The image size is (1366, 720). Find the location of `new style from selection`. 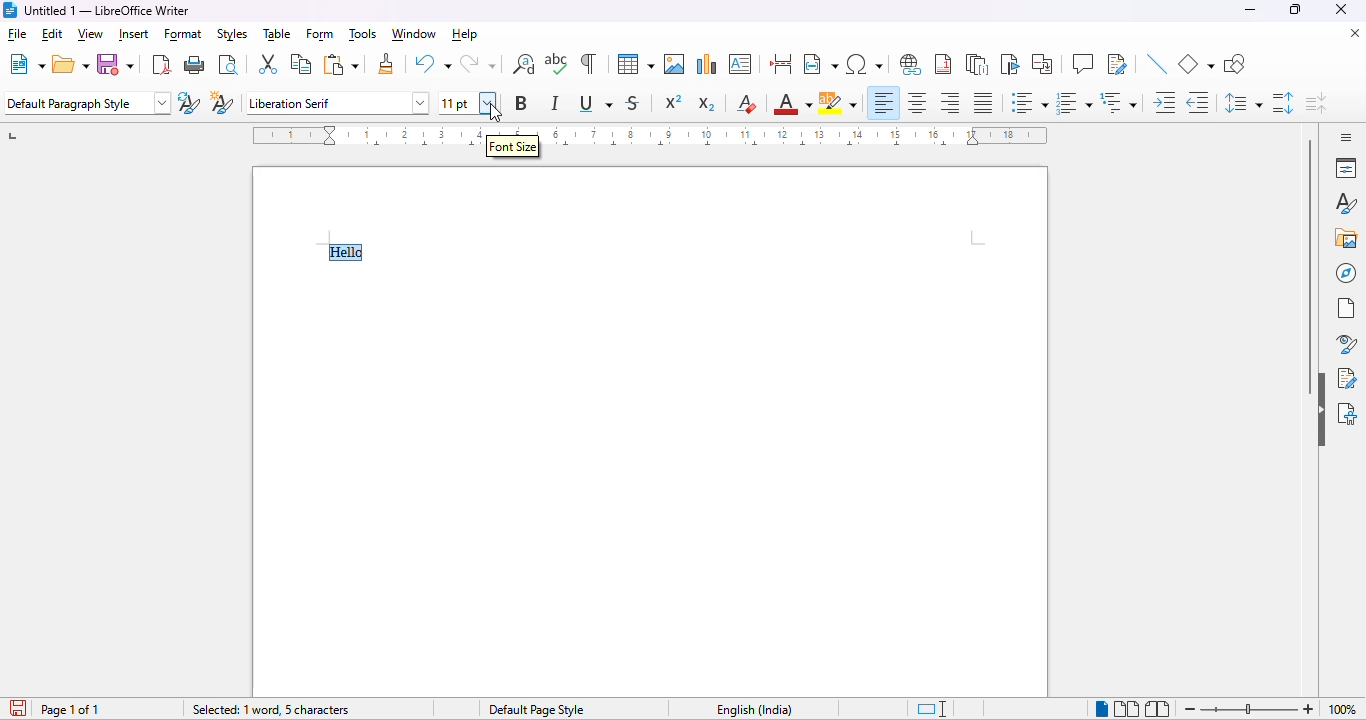

new style from selection is located at coordinates (223, 102).